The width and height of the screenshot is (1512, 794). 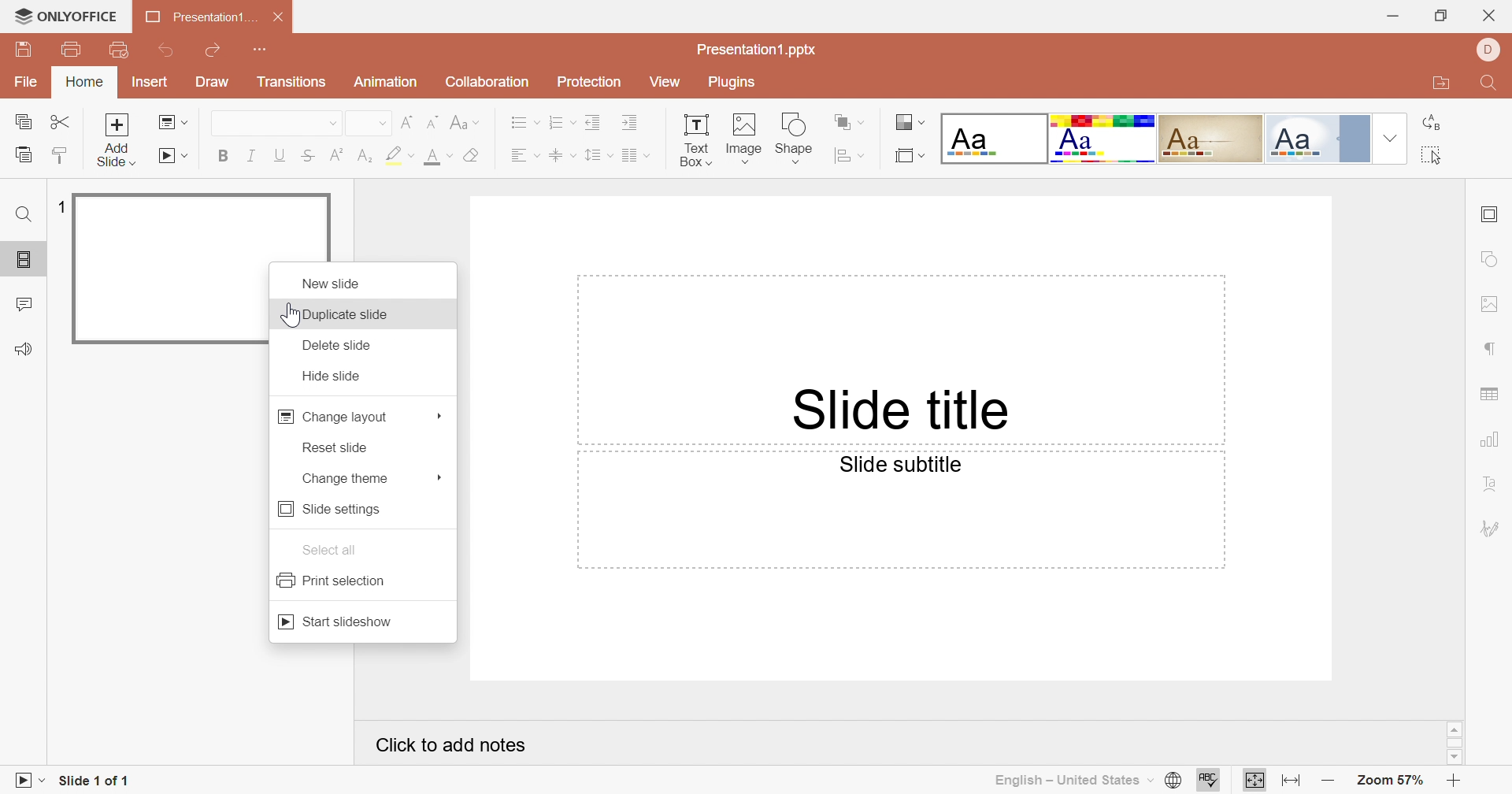 What do you see at coordinates (20, 261) in the screenshot?
I see `Slides` at bounding box center [20, 261].